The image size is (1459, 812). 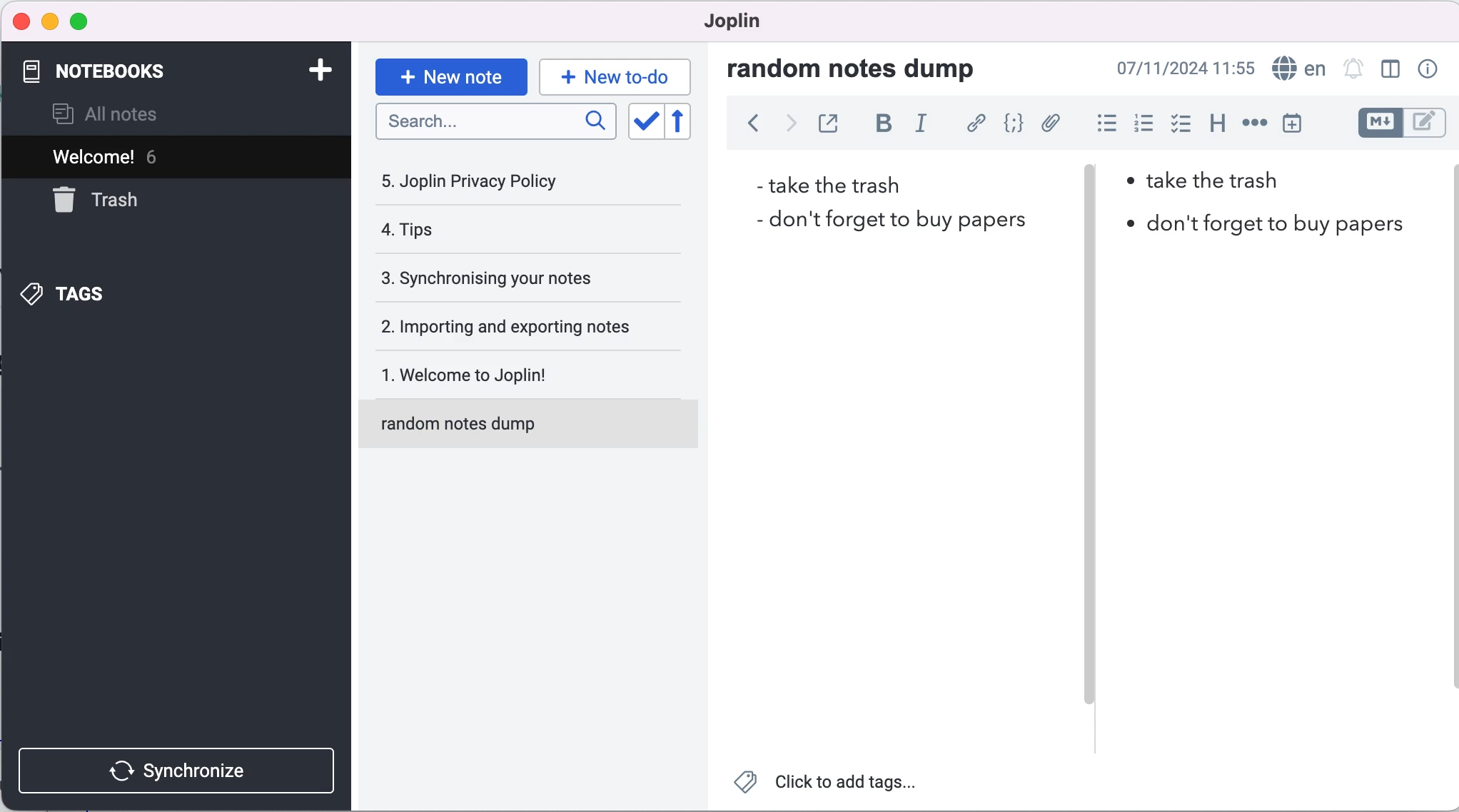 What do you see at coordinates (1213, 125) in the screenshot?
I see `heading` at bounding box center [1213, 125].